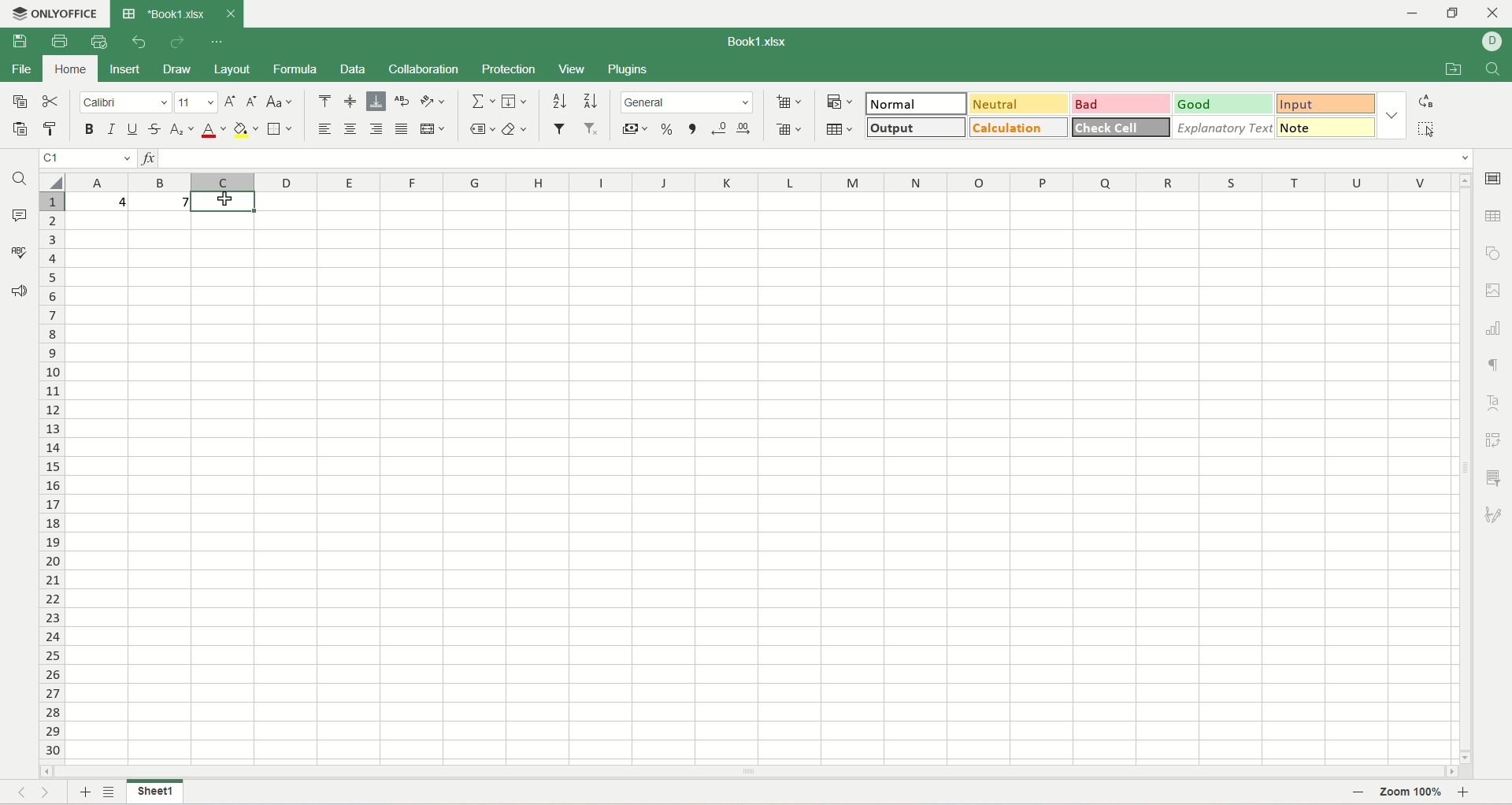  I want to click on replace, so click(1425, 102).